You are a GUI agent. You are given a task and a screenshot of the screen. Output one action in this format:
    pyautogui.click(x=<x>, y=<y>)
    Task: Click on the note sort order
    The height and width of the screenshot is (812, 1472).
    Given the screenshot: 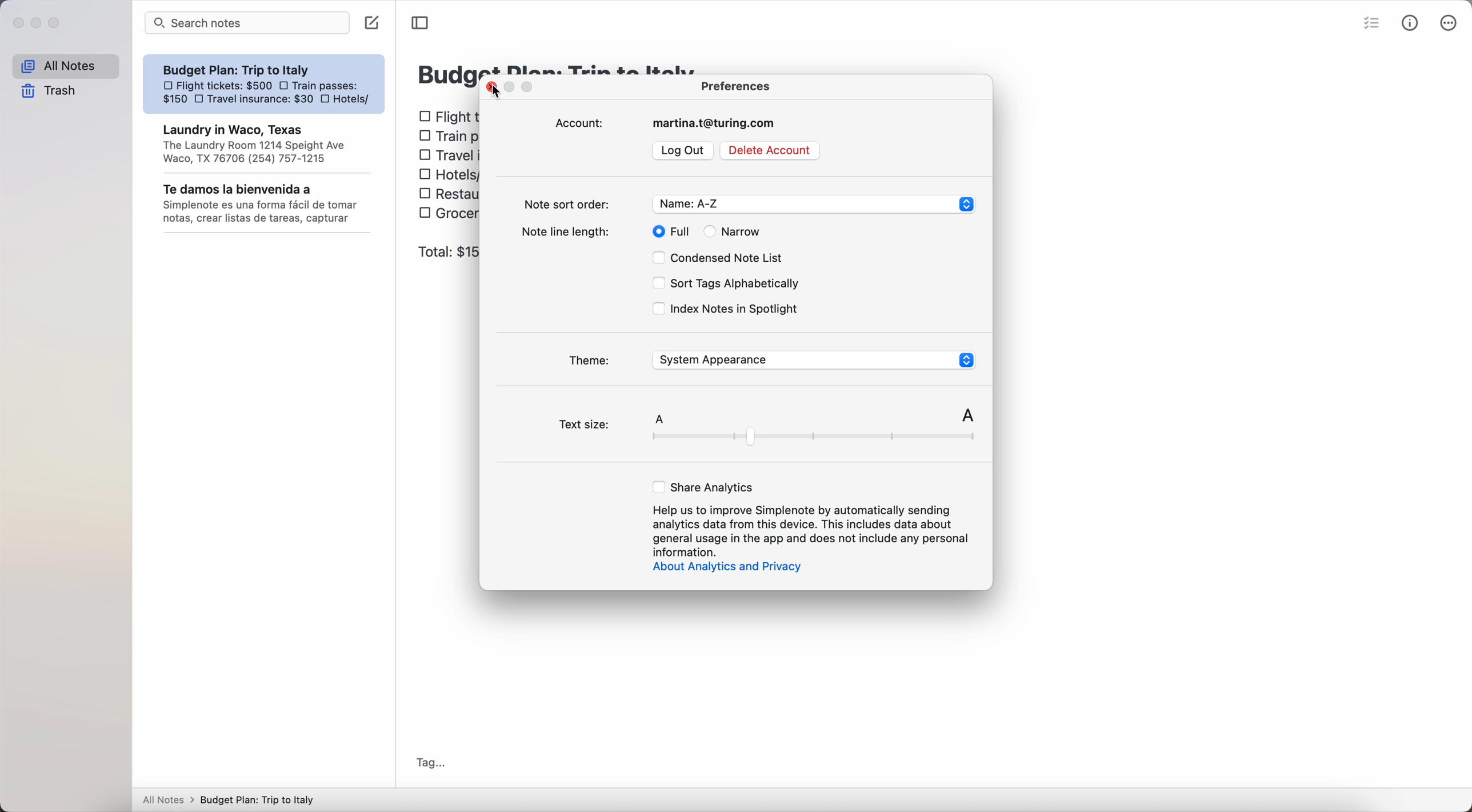 What is the action you would take?
    pyautogui.click(x=570, y=202)
    